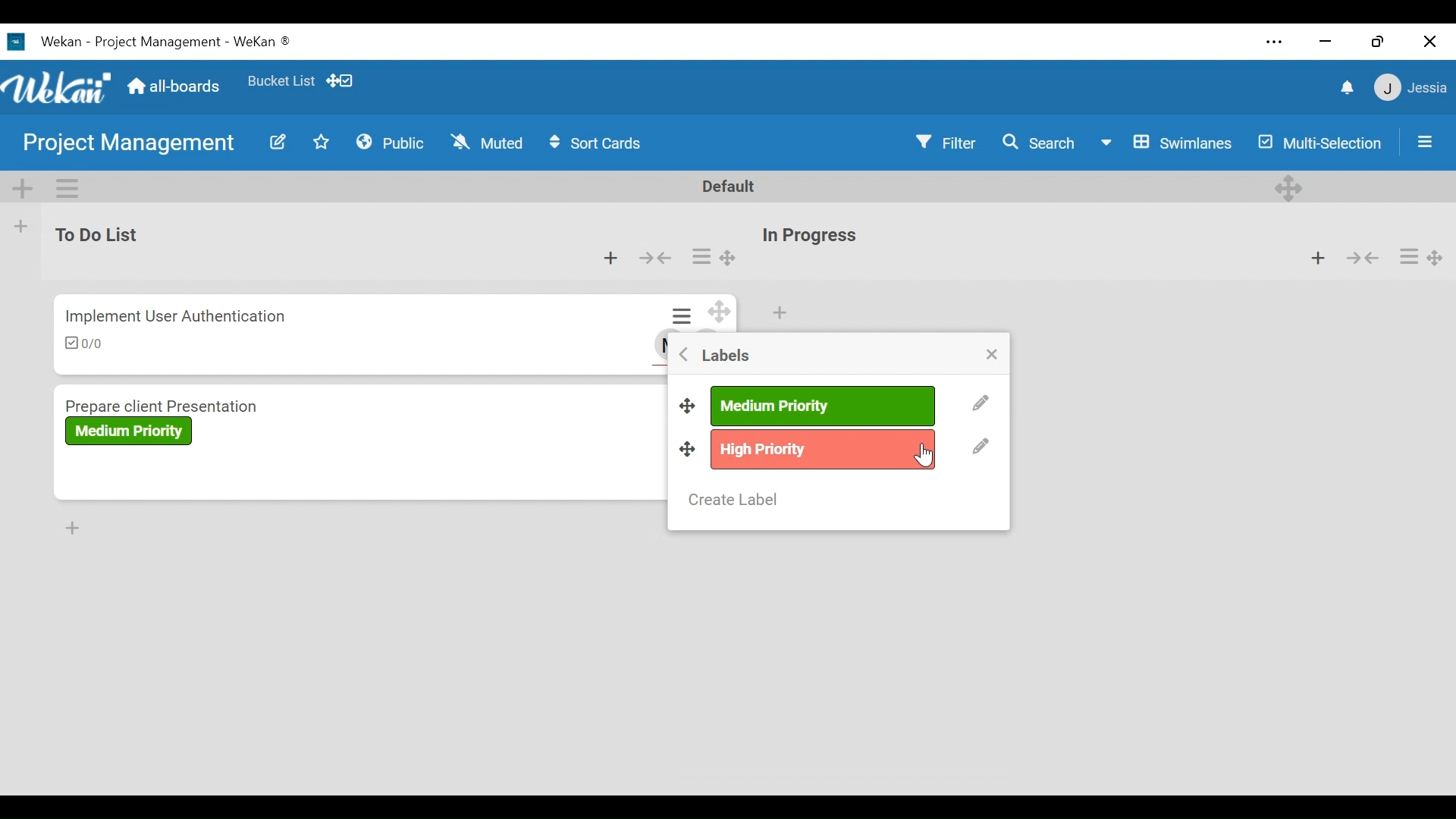 This screenshot has width=1456, height=819. Describe the element at coordinates (686, 403) in the screenshot. I see `Desktop drag handle` at that location.